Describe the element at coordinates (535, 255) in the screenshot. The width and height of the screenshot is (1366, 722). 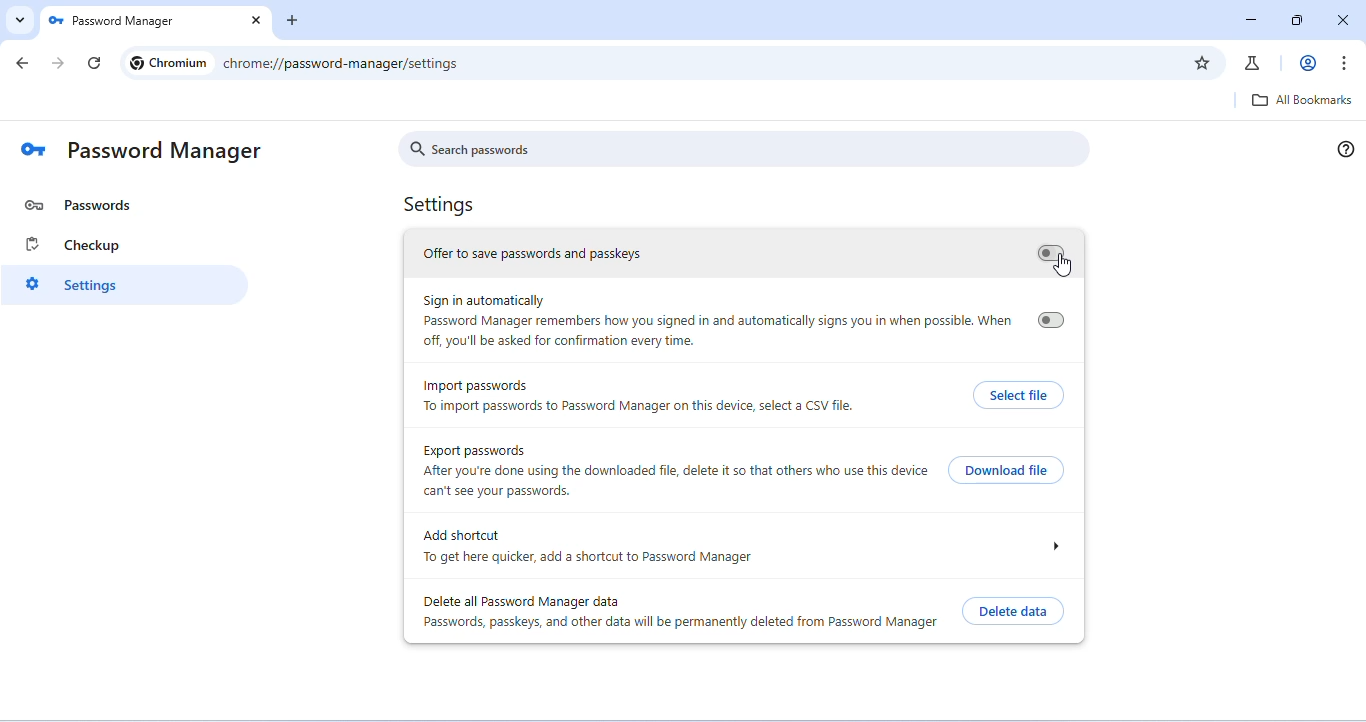
I see `offer to save password and passkeys` at that location.